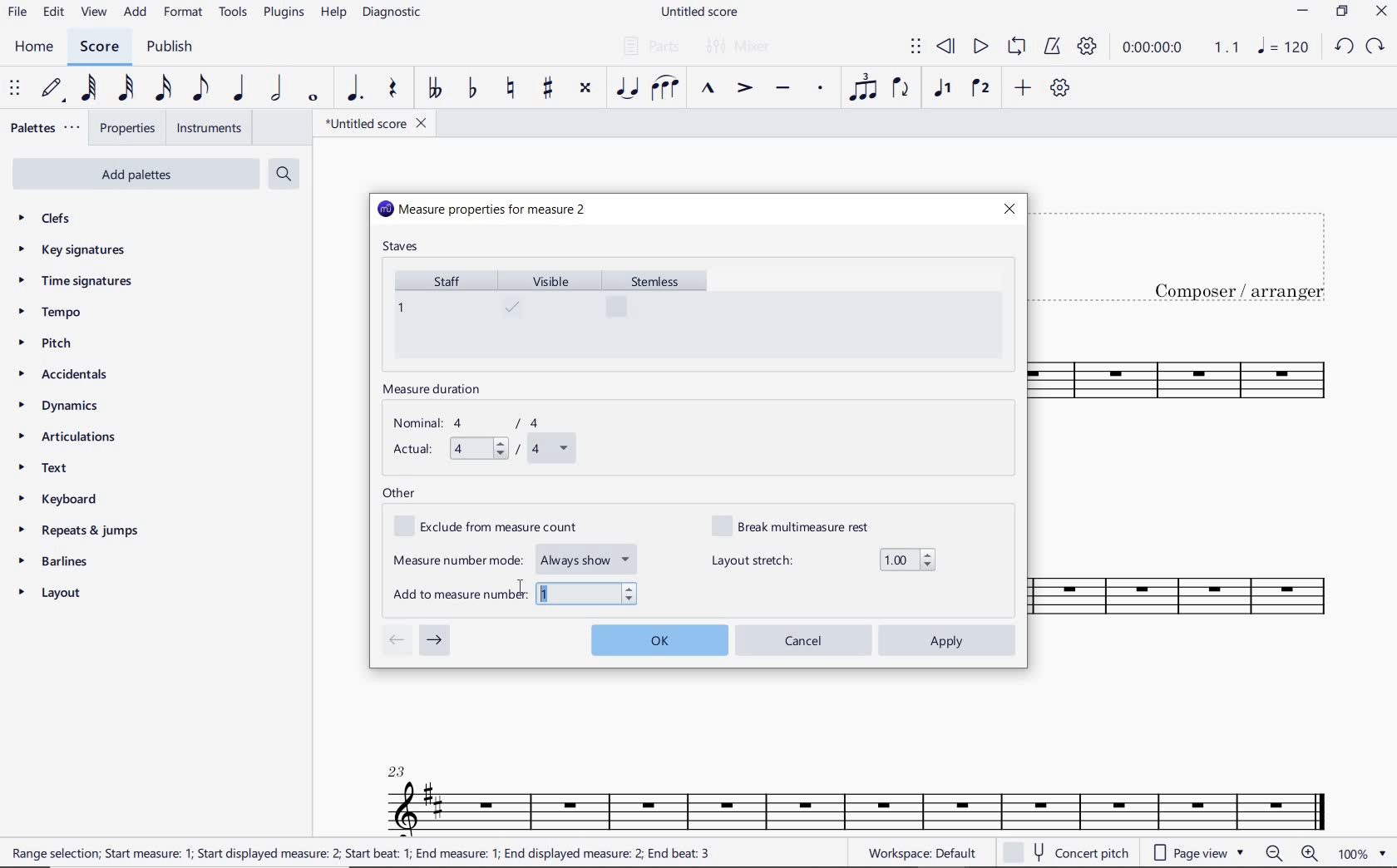  I want to click on ADD, so click(136, 13).